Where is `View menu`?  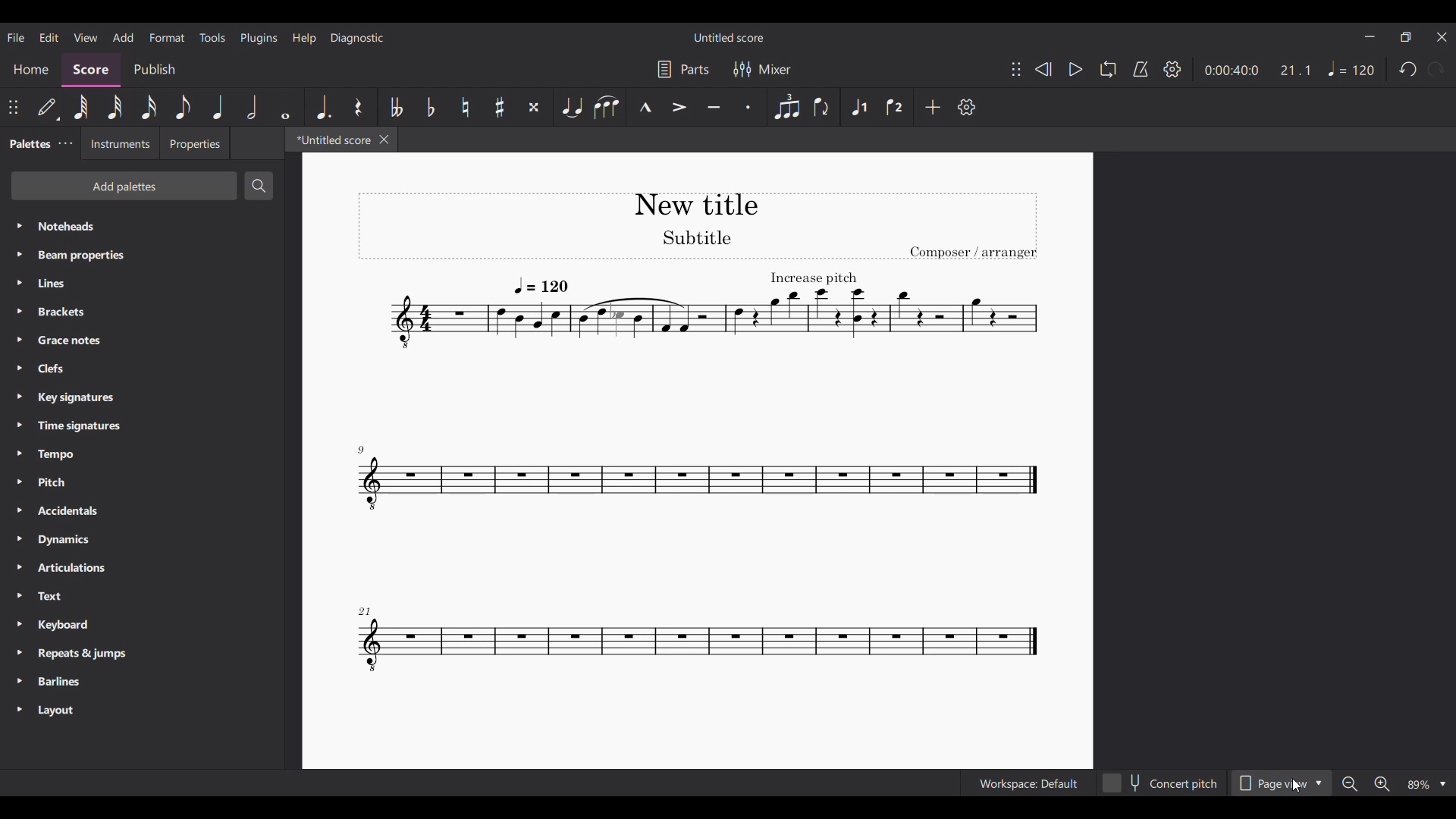
View menu is located at coordinates (85, 37).